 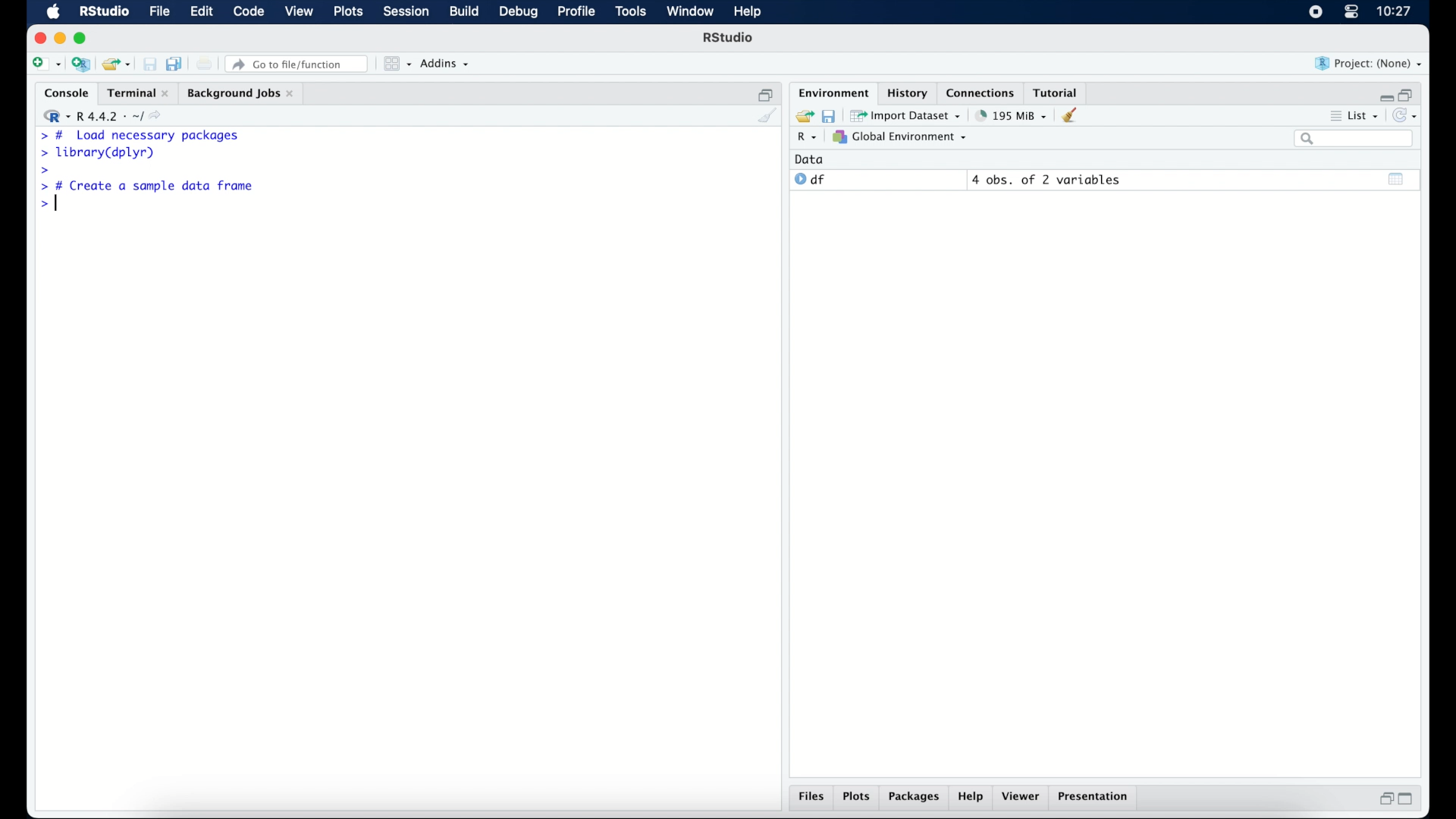 I want to click on load workspace, so click(x=802, y=115).